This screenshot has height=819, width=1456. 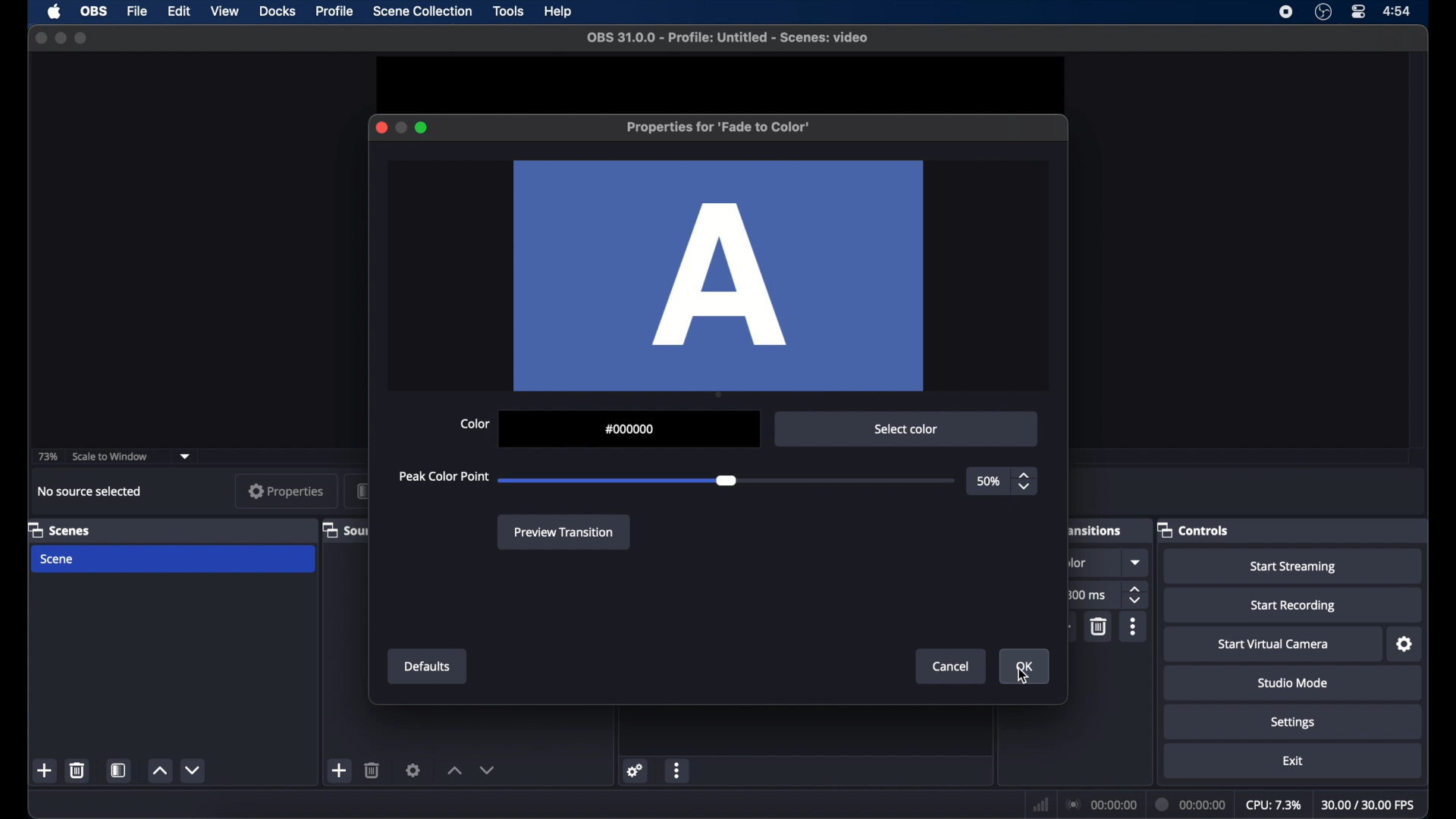 What do you see at coordinates (952, 667) in the screenshot?
I see `cancel` at bounding box center [952, 667].